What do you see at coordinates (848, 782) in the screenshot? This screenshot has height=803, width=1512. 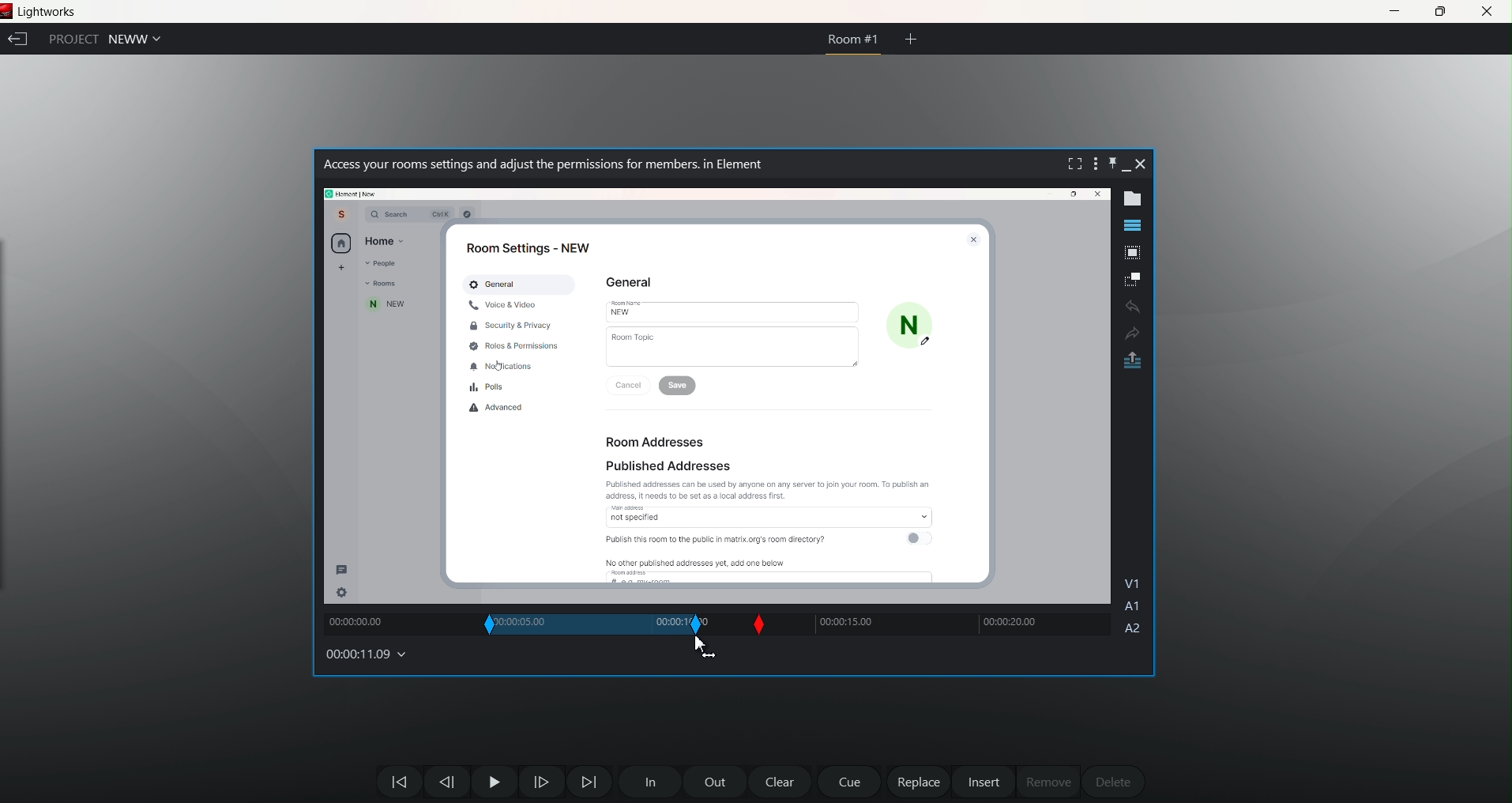 I see `cue` at bounding box center [848, 782].